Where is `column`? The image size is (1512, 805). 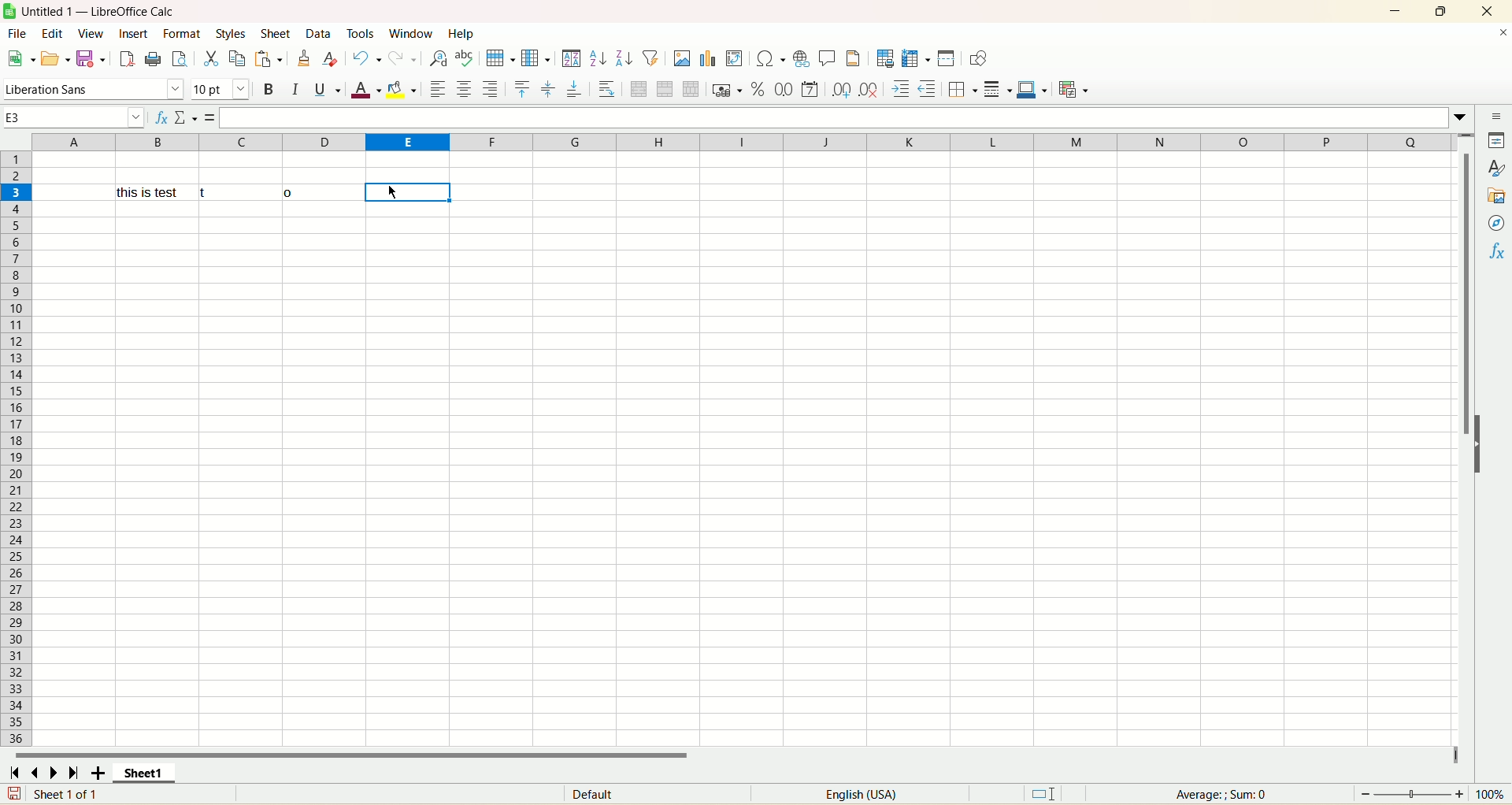
column is located at coordinates (743, 143).